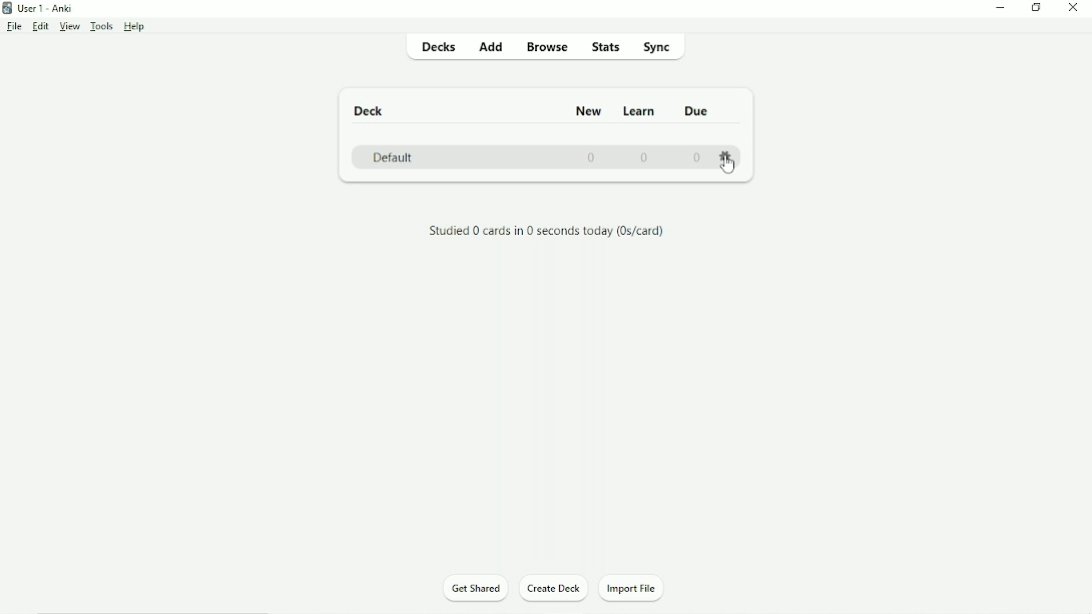  I want to click on 0, so click(593, 157).